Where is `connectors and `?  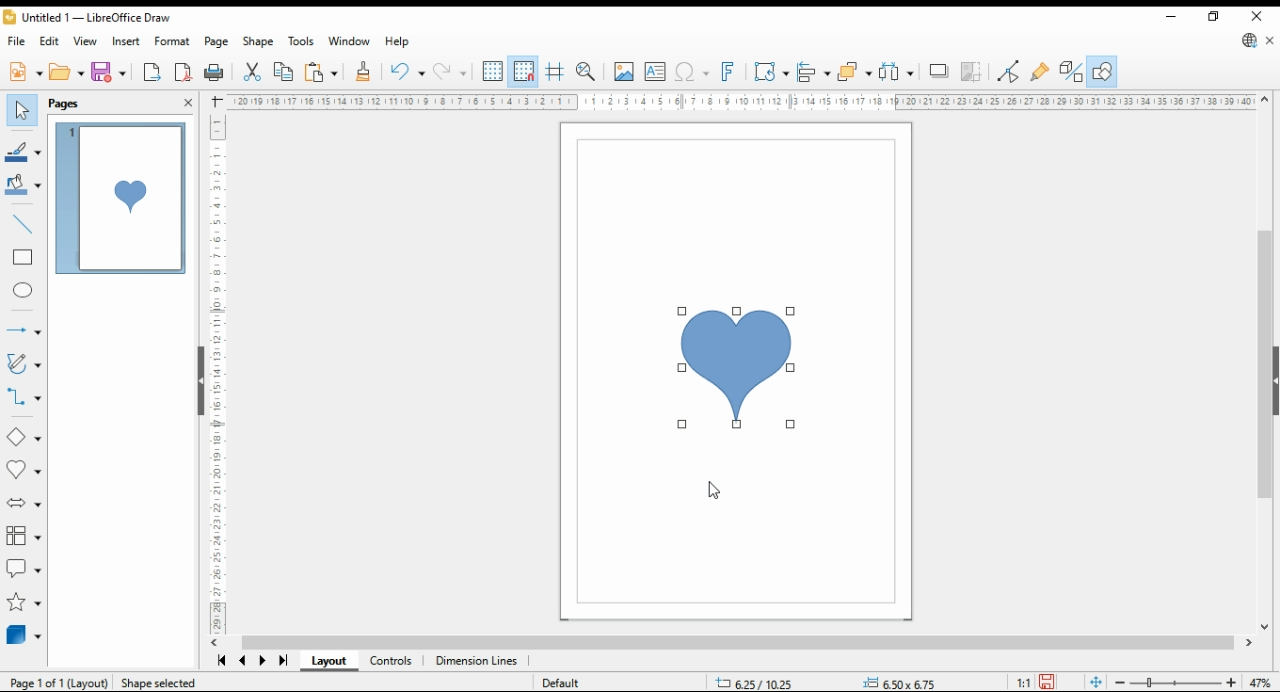 connectors and  is located at coordinates (23, 399).